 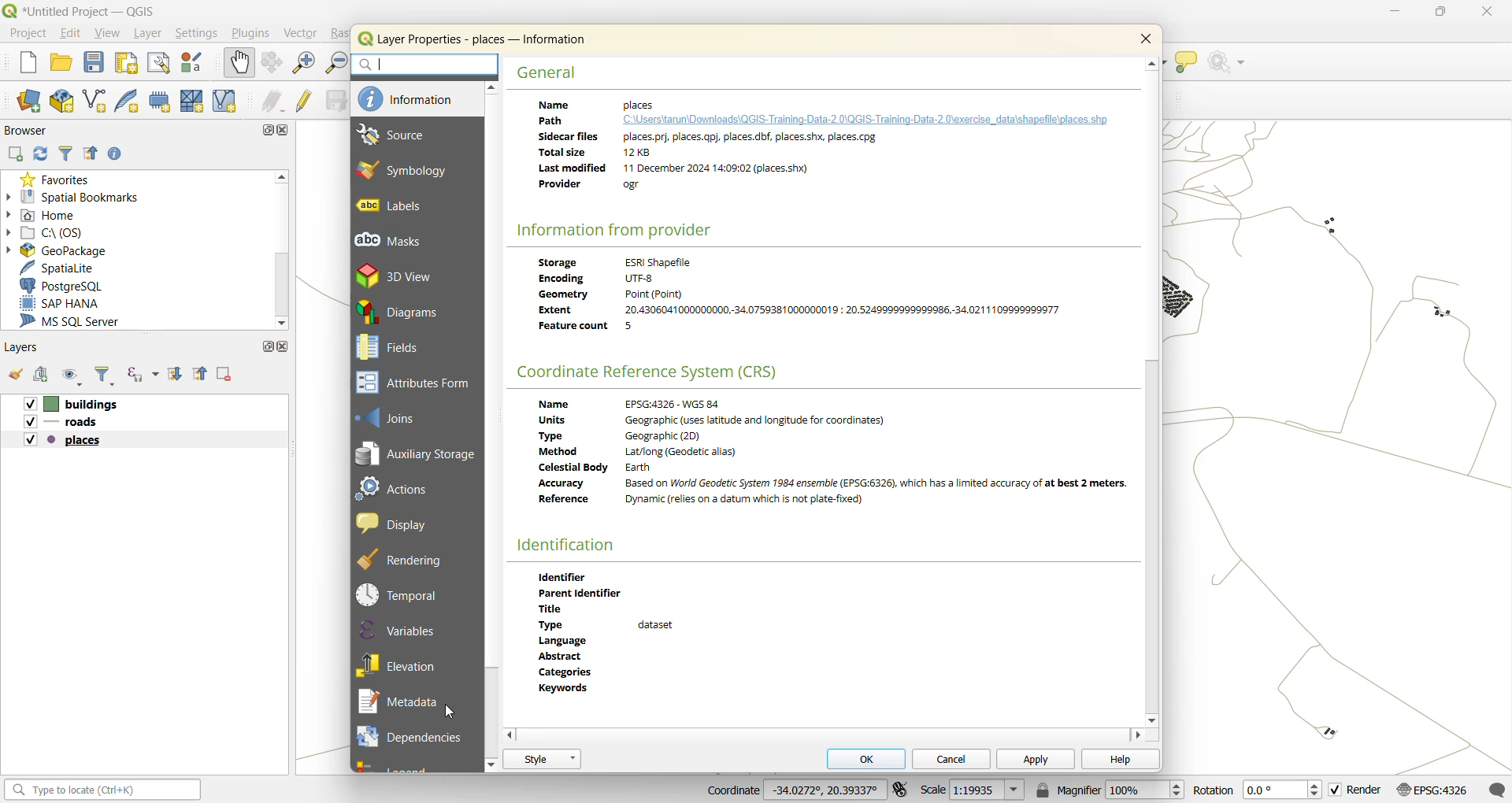 What do you see at coordinates (81, 198) in the screenshot?
I see `spatial bookmarks` at bounding box center [81, 198].